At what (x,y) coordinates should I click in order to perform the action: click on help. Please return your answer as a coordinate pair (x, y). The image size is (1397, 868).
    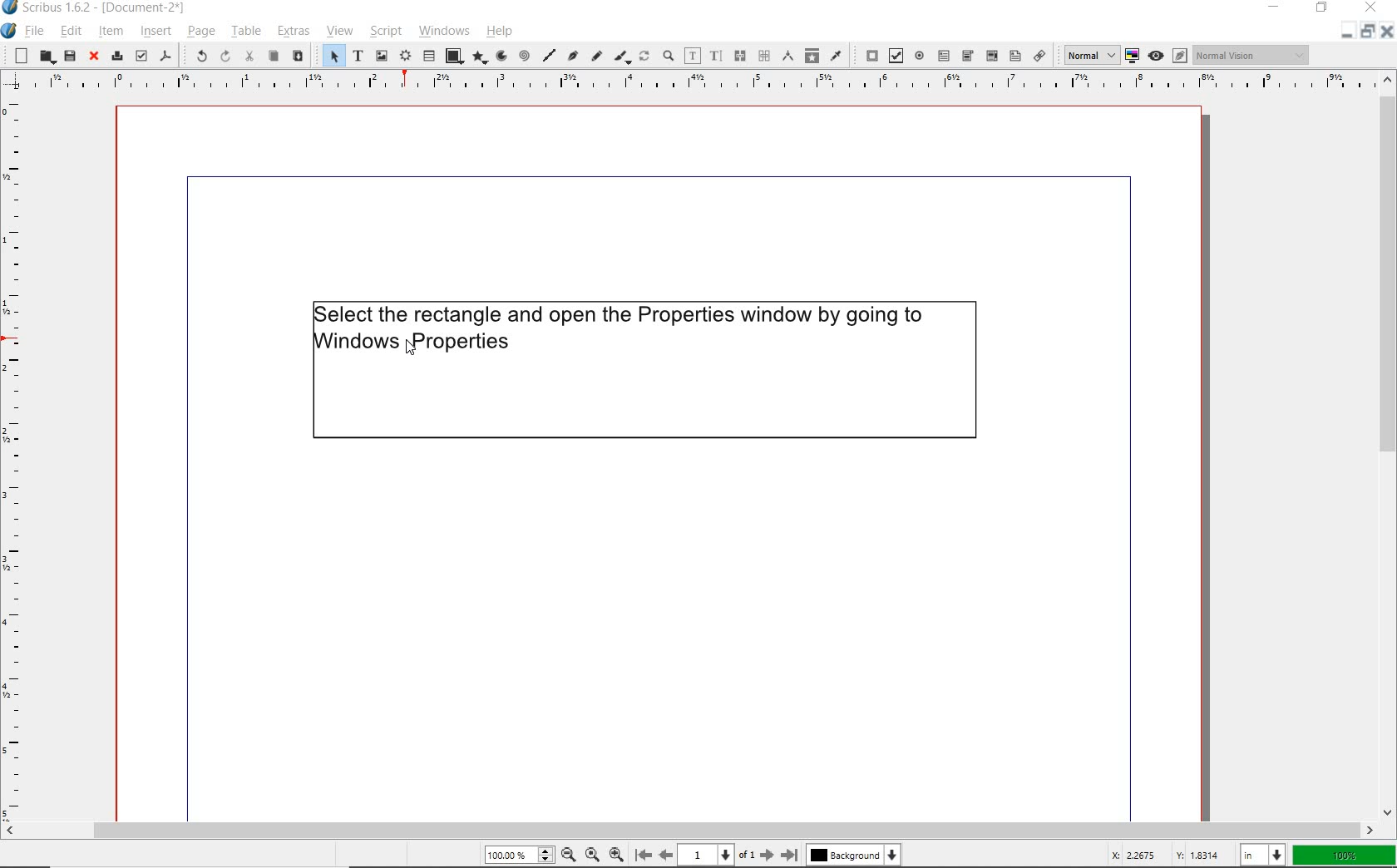
    Looking at the image, I should click on (500, 32).